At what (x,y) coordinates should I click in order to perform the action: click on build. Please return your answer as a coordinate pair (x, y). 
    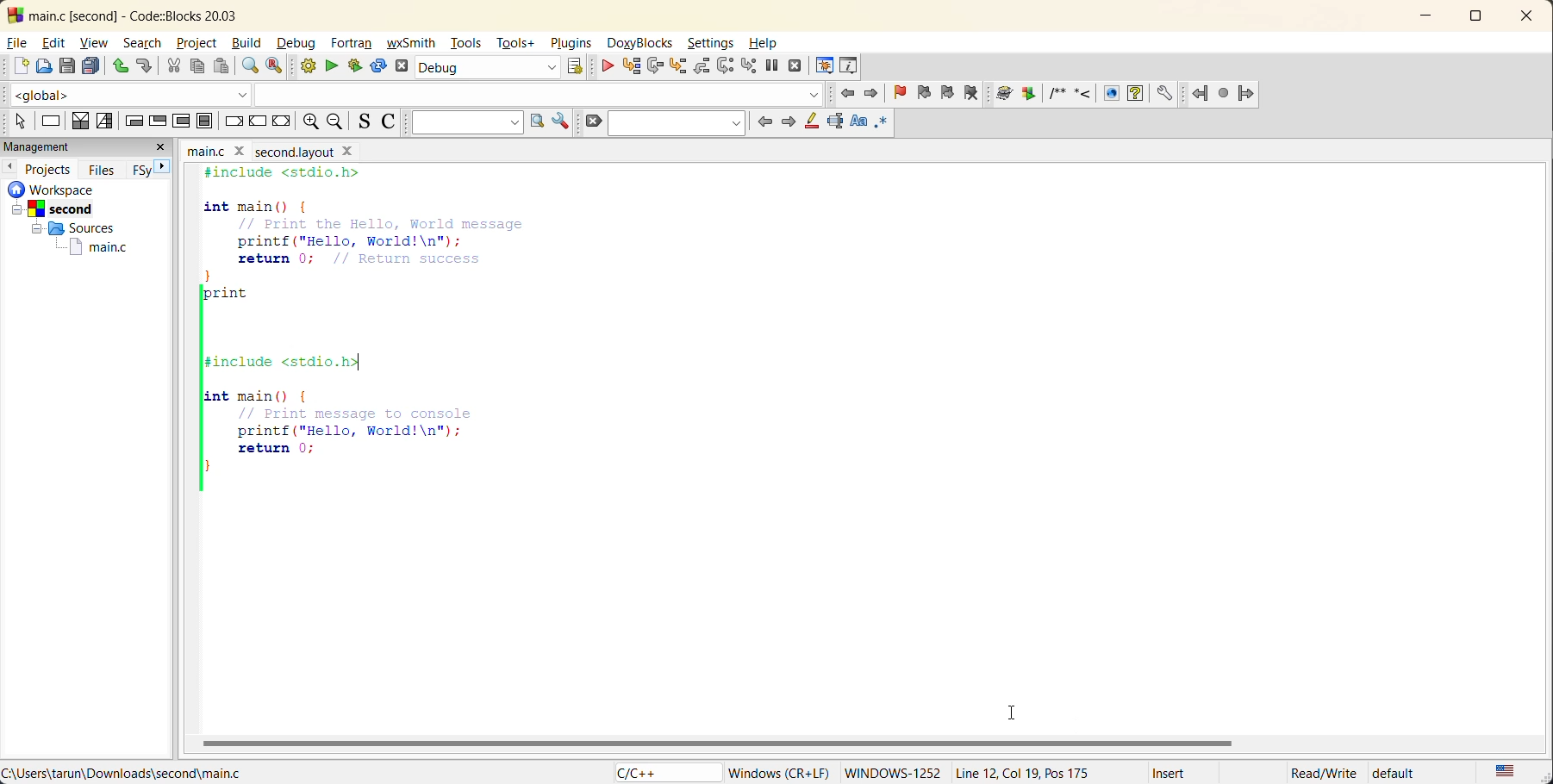
    Looking at the image, I should click on (304, 65).